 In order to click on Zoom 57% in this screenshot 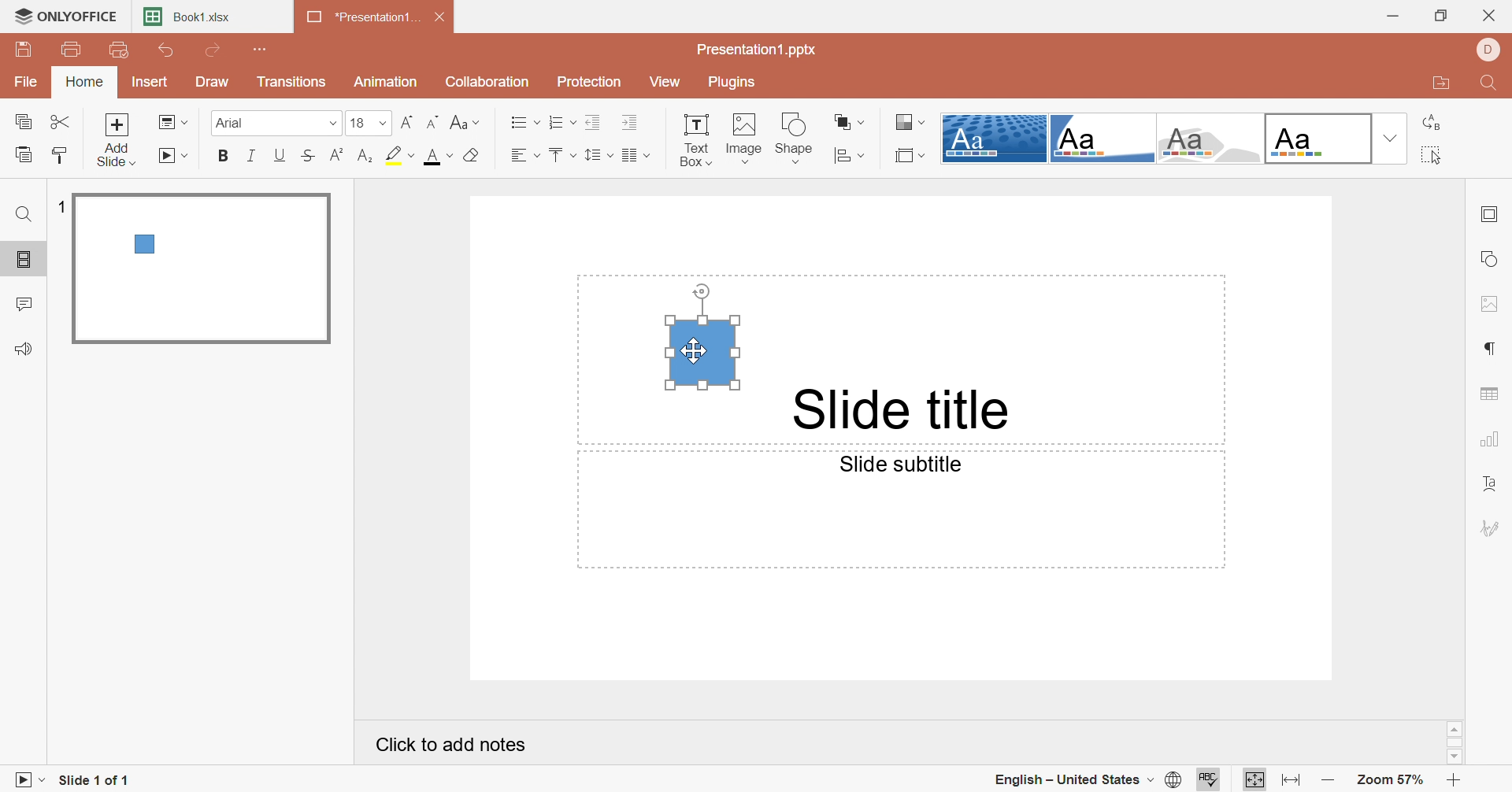, I will do `click(1395, 778)`.